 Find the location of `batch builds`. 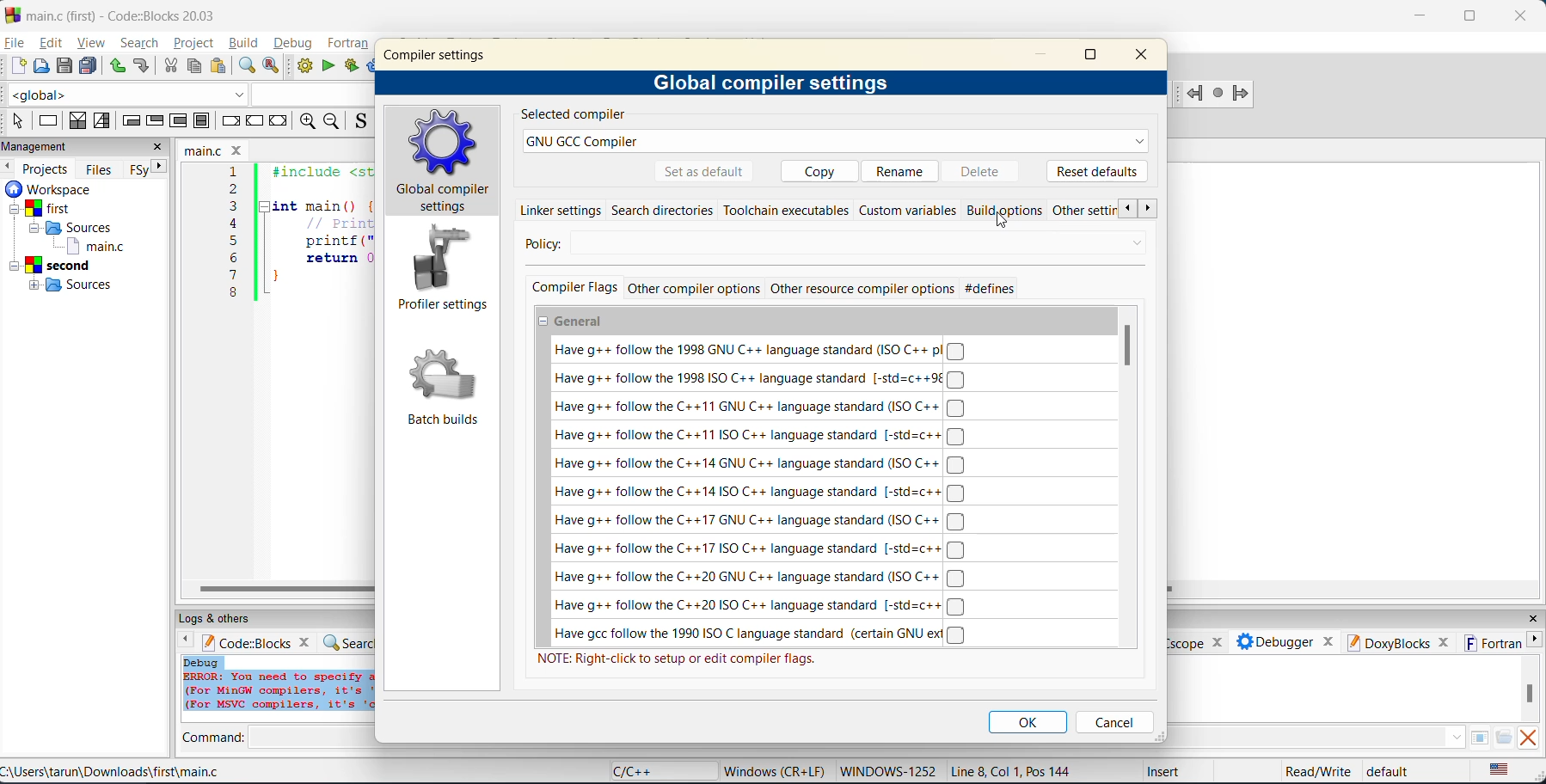

batch builds is located at coordinates (445, 389).